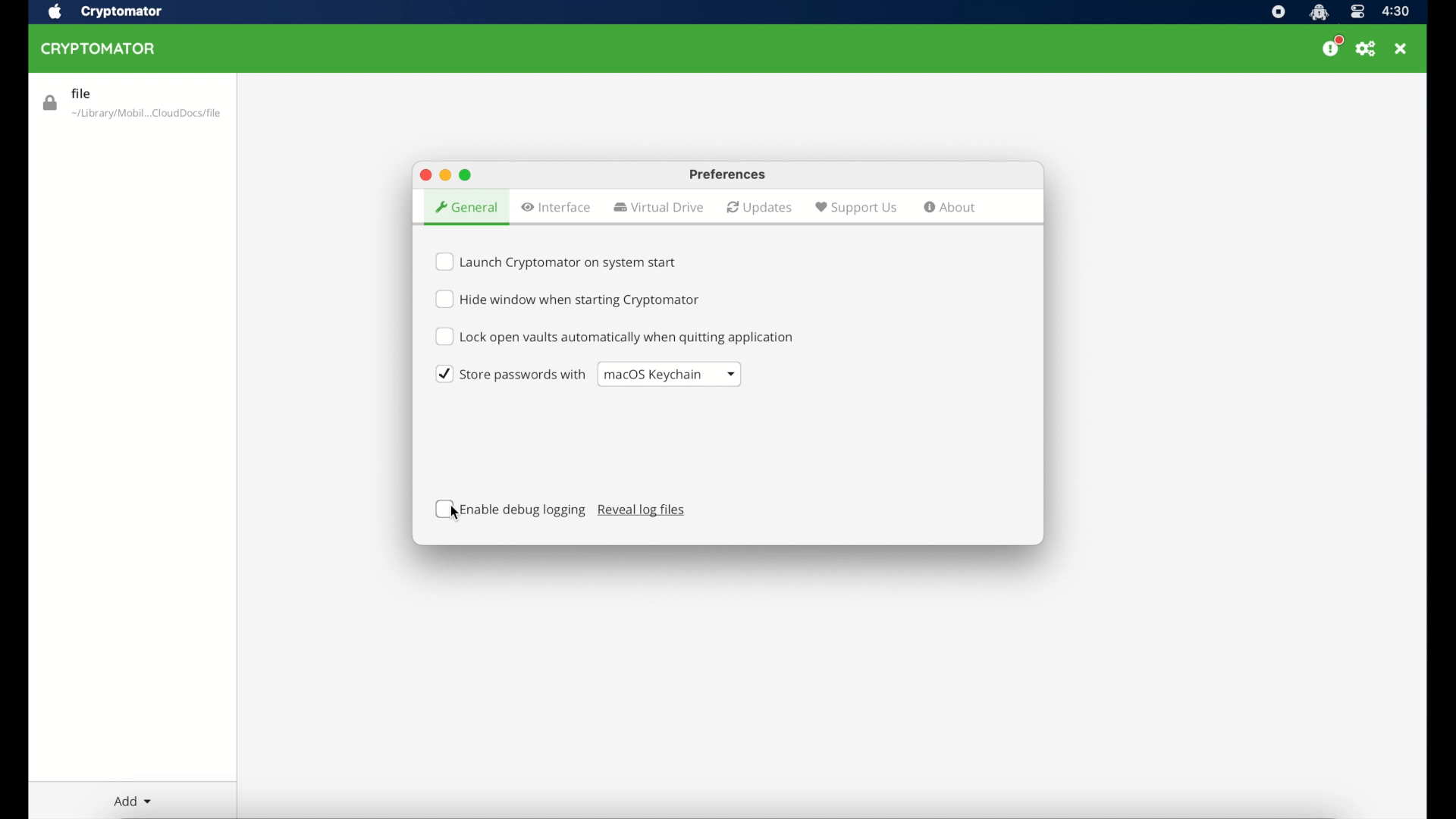 The width and height of the screenshot is (1456, 819). I want to click on time, so click(1397, 11).